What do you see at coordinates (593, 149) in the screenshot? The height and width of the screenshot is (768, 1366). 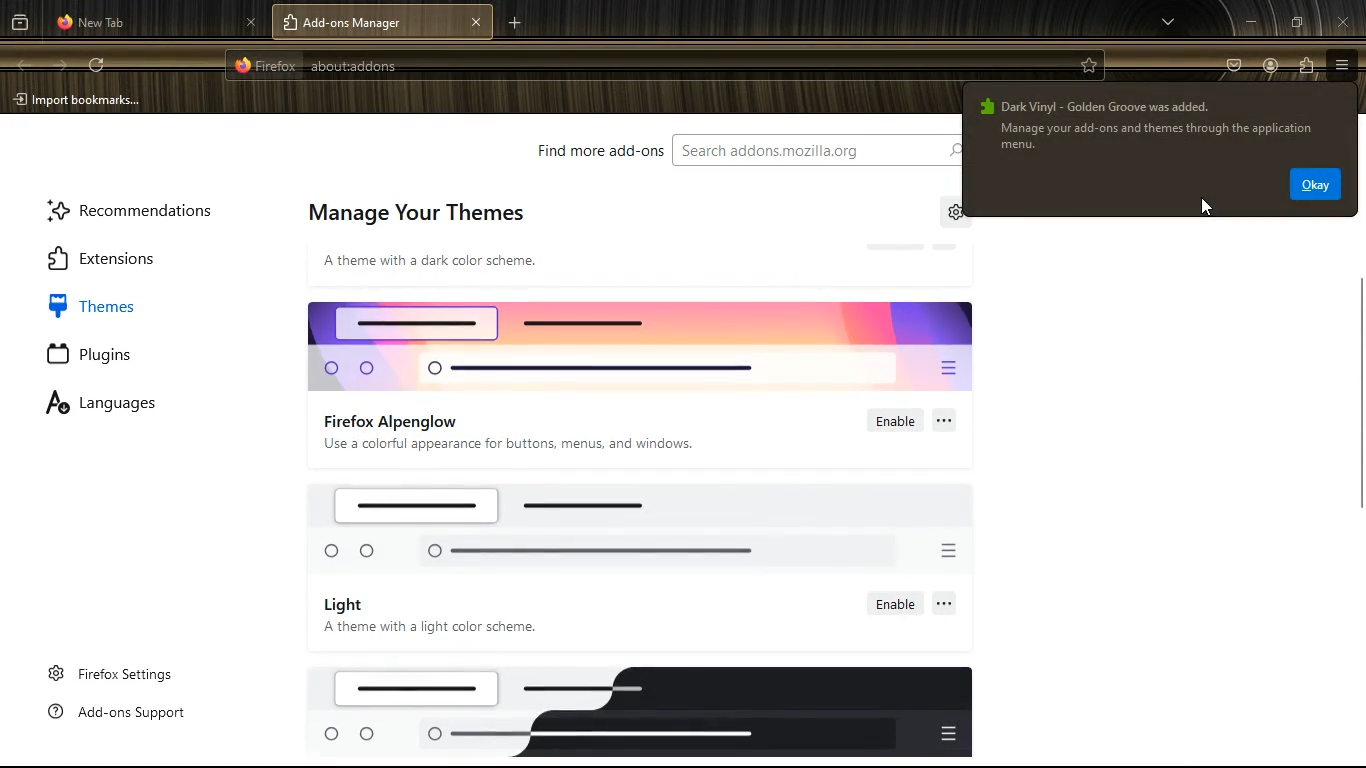 I see `find more add-ons` at bounding box center [593, 149].